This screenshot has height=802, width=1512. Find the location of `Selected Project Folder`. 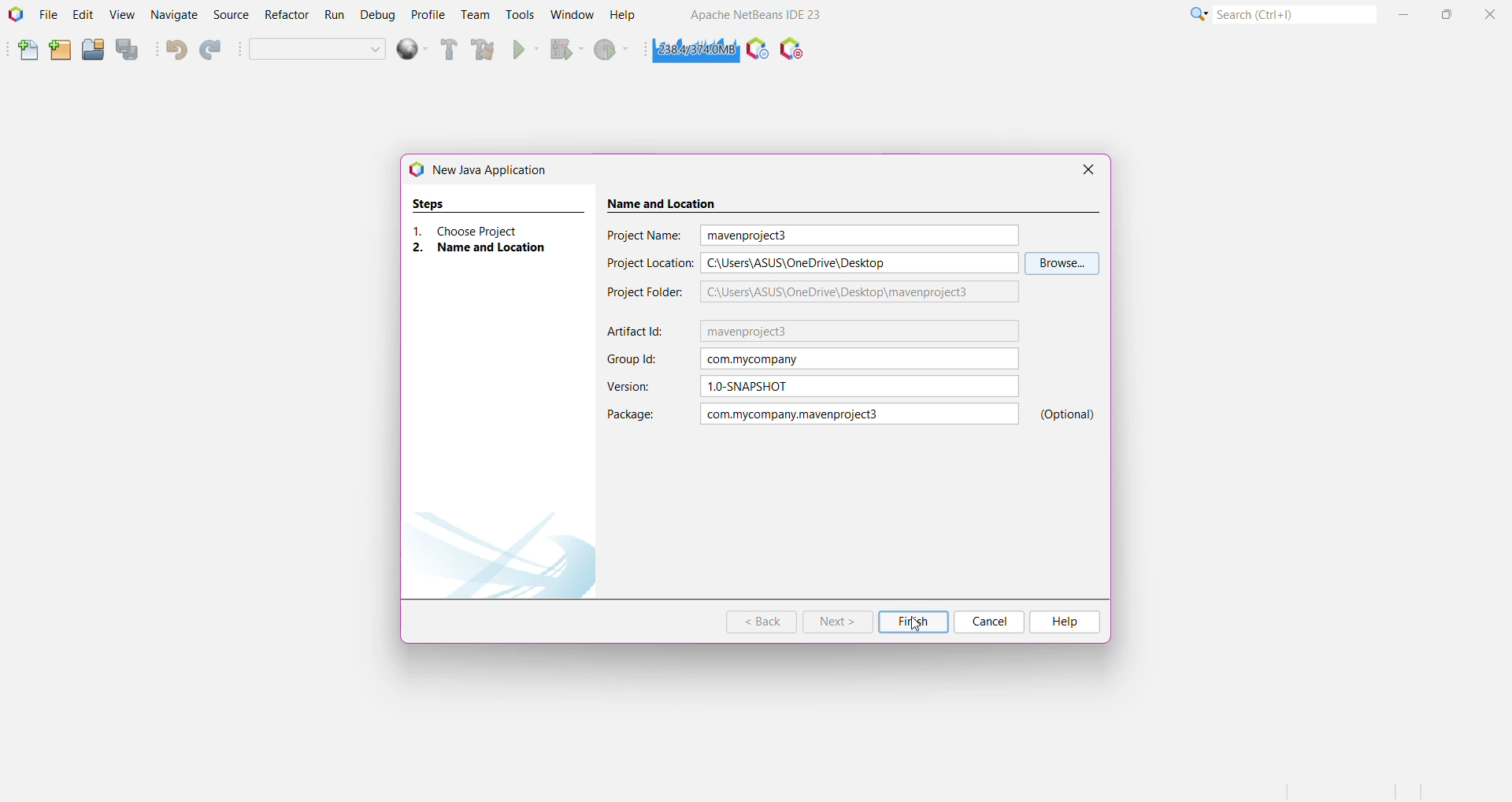

Selected Project Folder is located at coordinates (859, 292).